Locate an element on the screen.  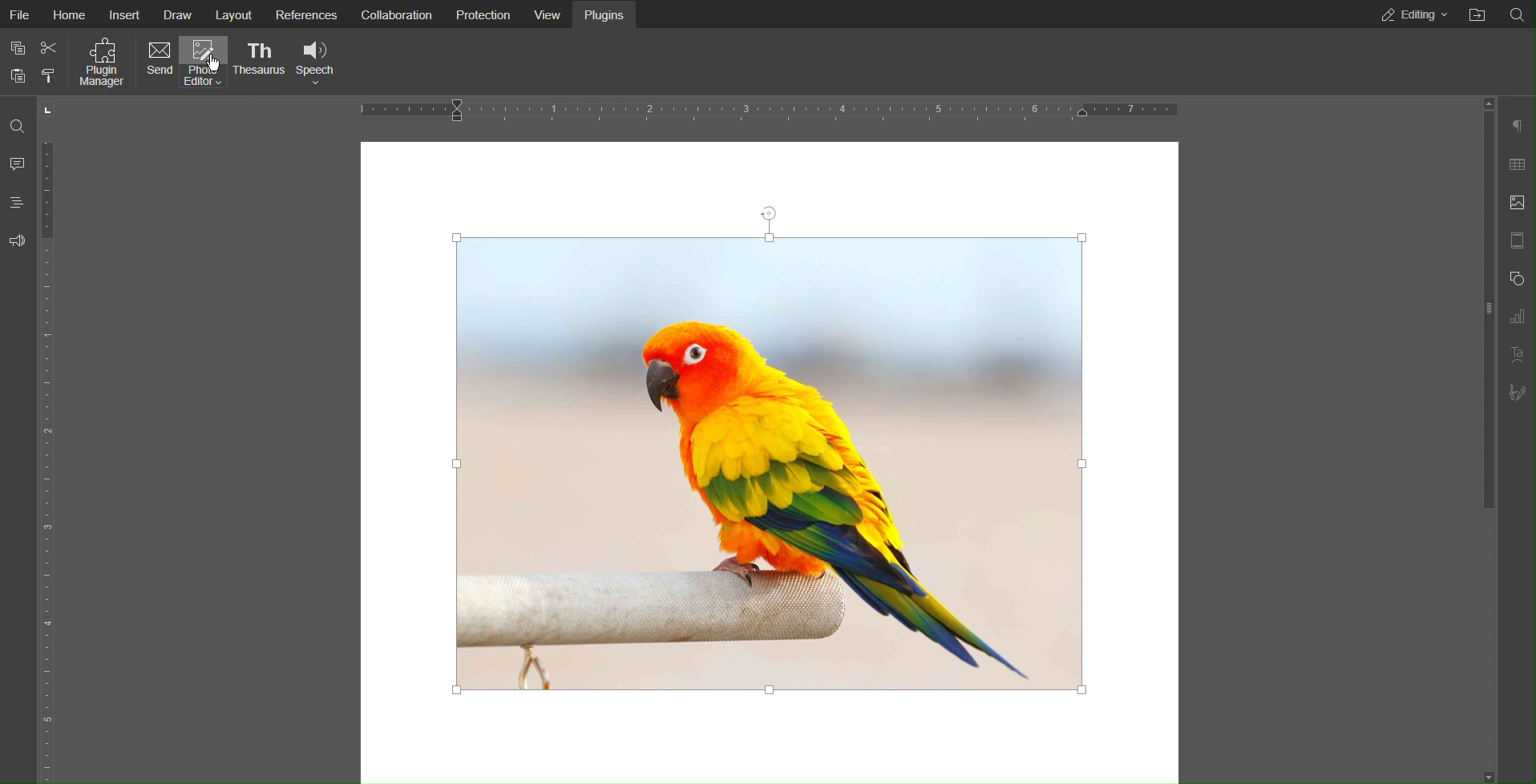
References is located at coordinates (305, 14).